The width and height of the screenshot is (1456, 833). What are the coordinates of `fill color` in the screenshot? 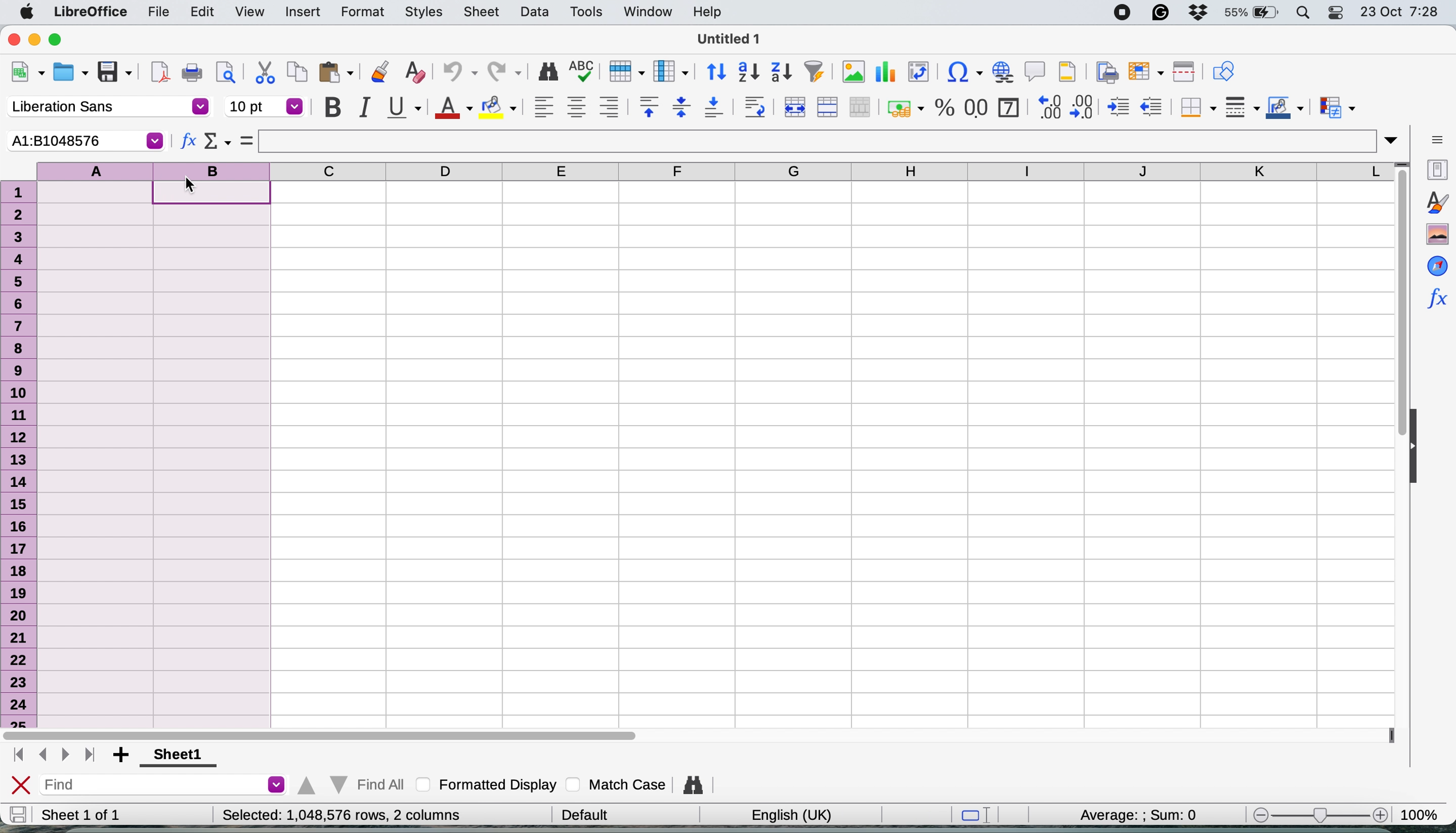 It's located at (498, 108).